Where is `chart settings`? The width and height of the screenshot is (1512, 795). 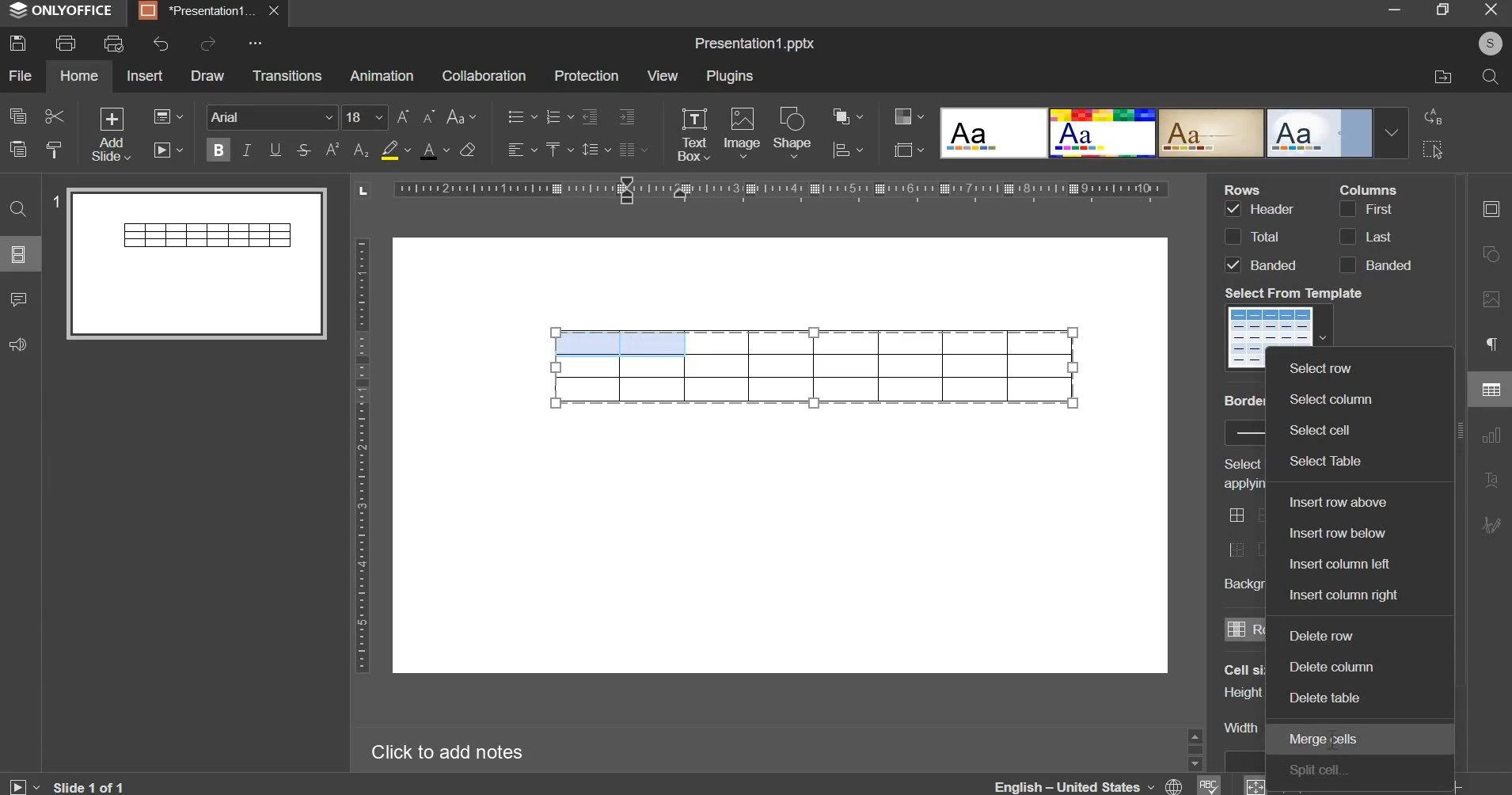 chart settings is located at coordinates (848, 150).